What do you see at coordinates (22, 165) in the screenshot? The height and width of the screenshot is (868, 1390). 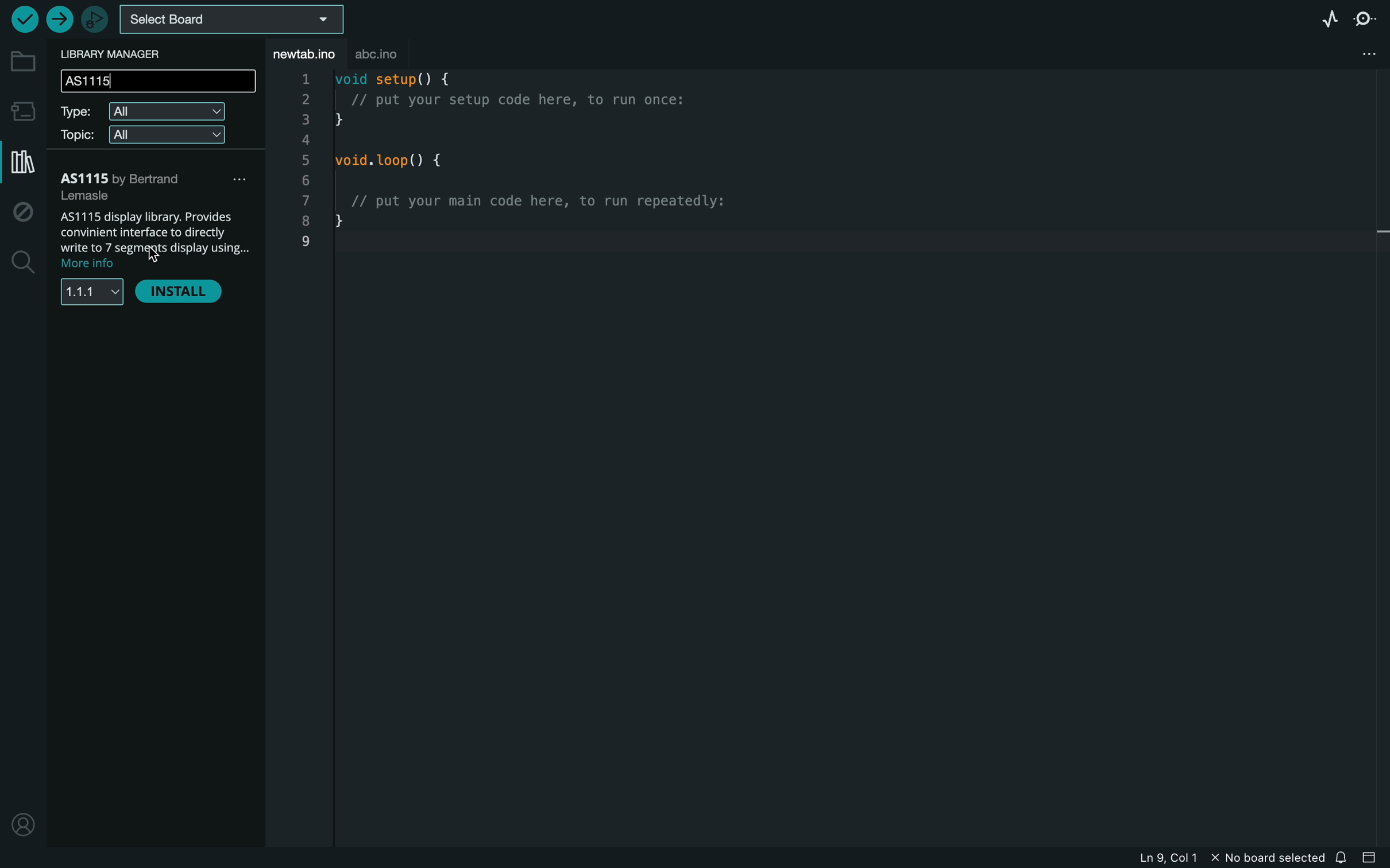 I see `library manager` at bounding box center [22, 165].